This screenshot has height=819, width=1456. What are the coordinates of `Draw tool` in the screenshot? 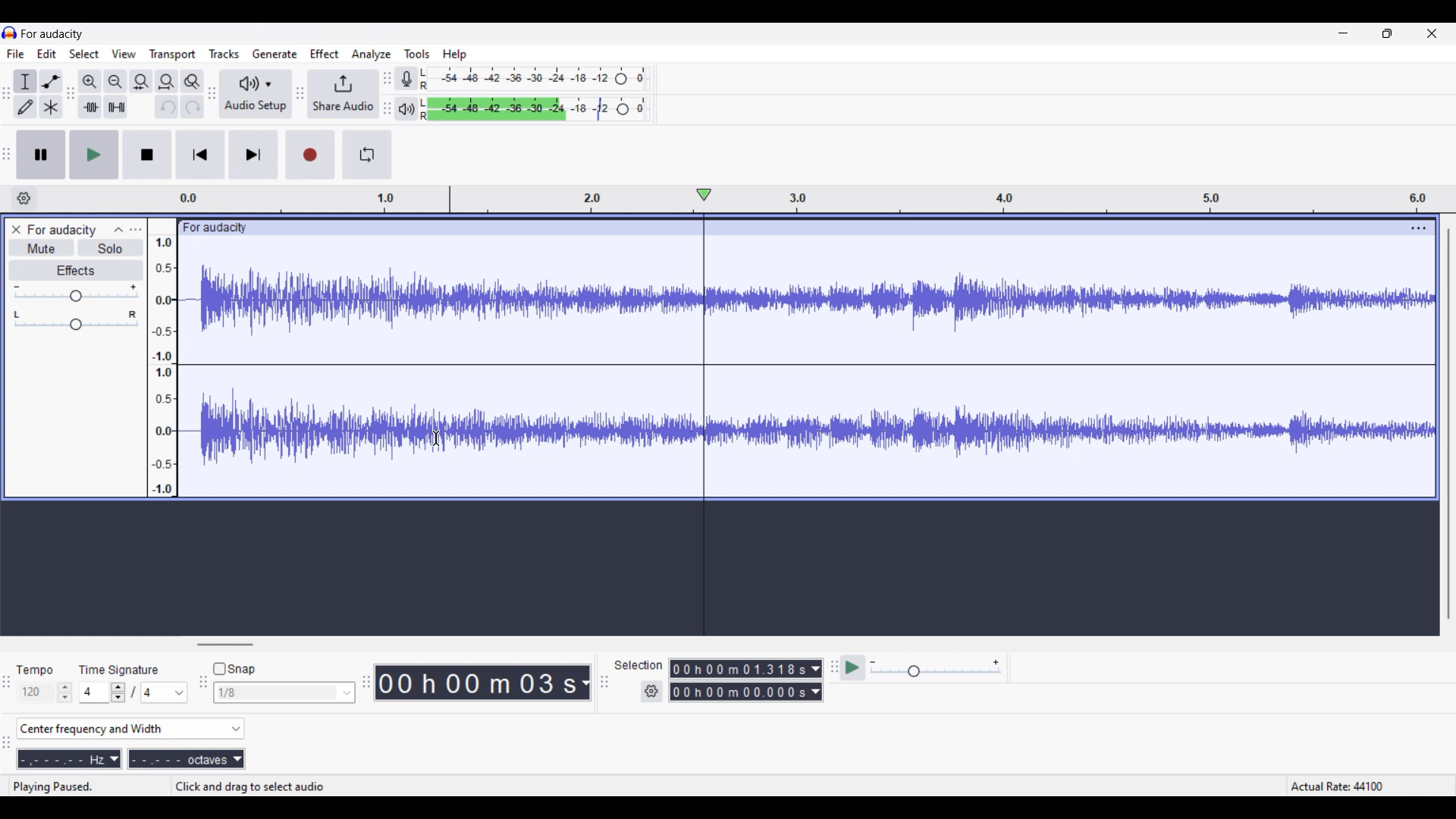 It's located at (25, 107).